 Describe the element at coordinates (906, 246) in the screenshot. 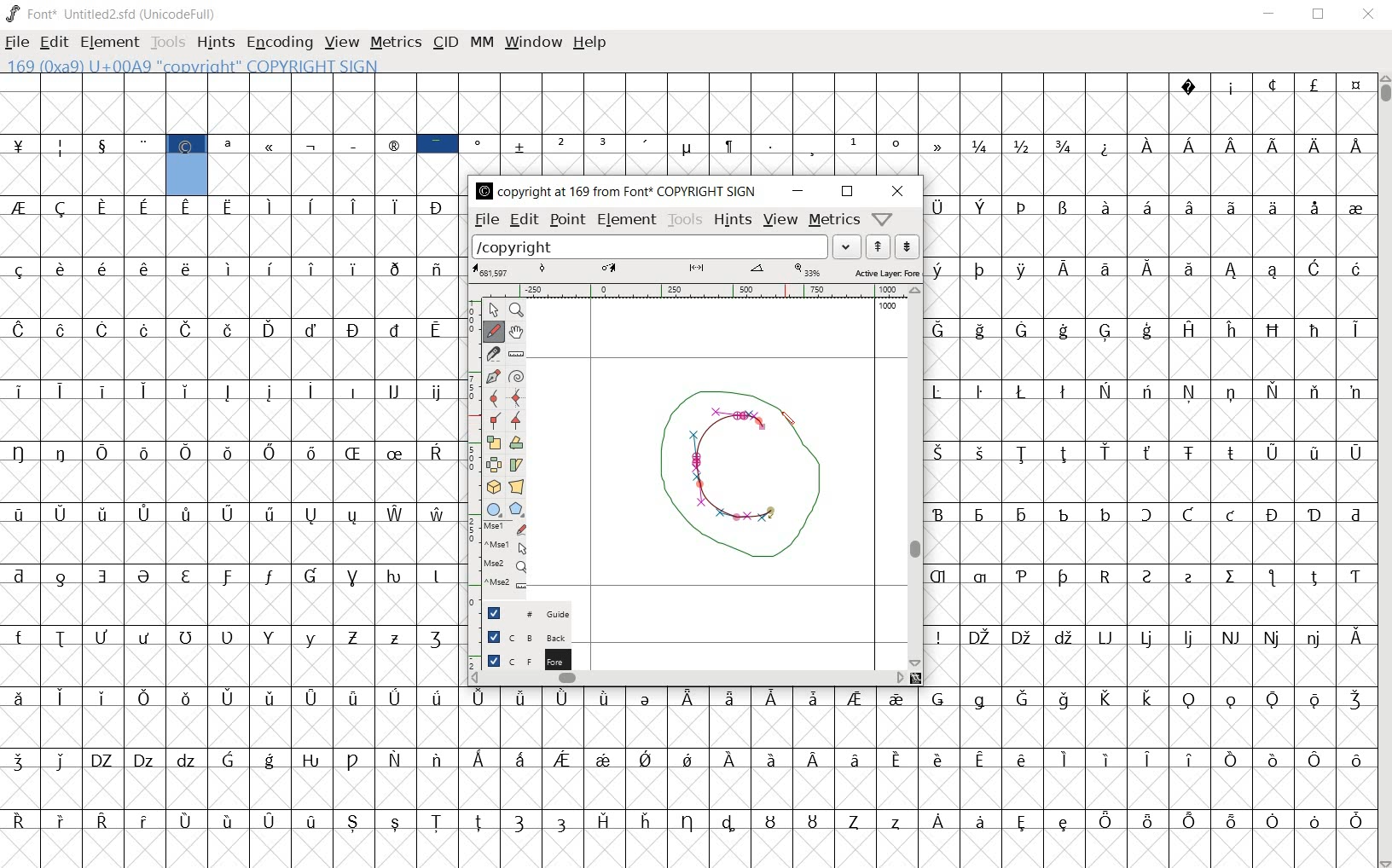

I see `show the previous word on the list` at that location.